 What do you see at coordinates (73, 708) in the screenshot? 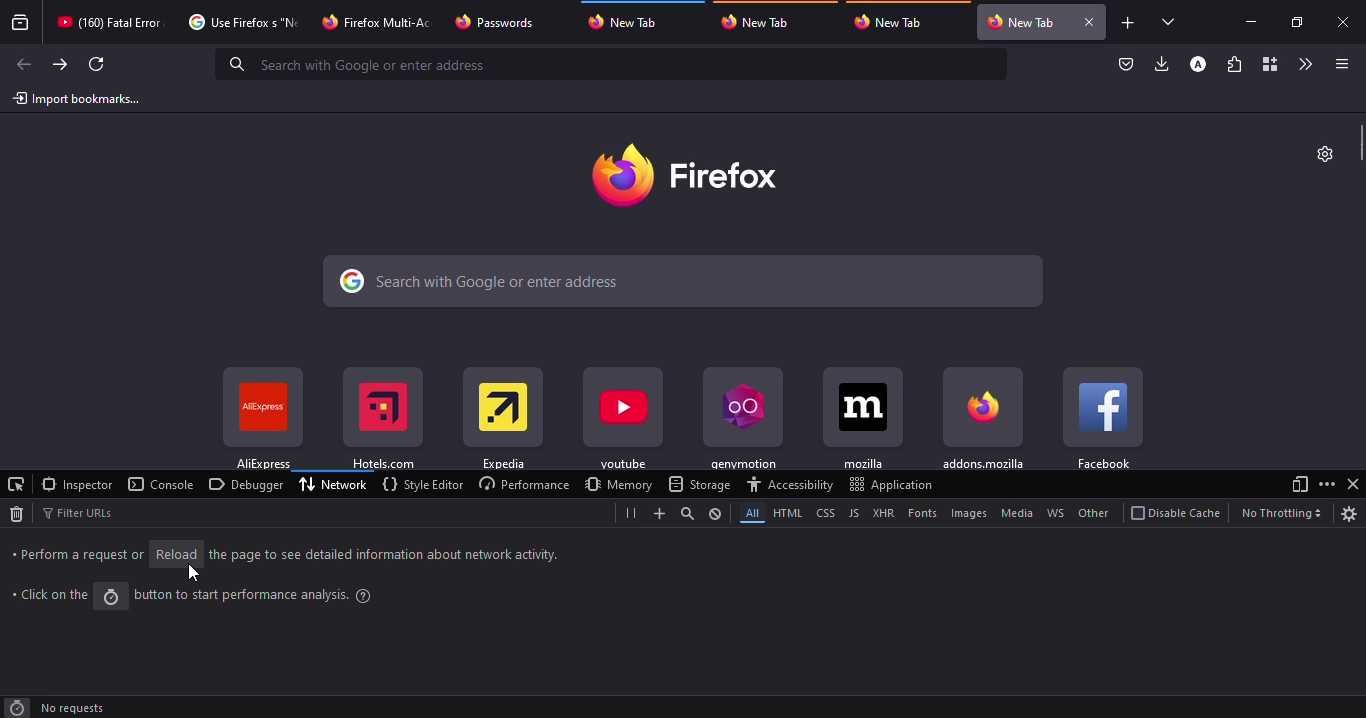
I see `o requests` at bounding box center [73, 708].